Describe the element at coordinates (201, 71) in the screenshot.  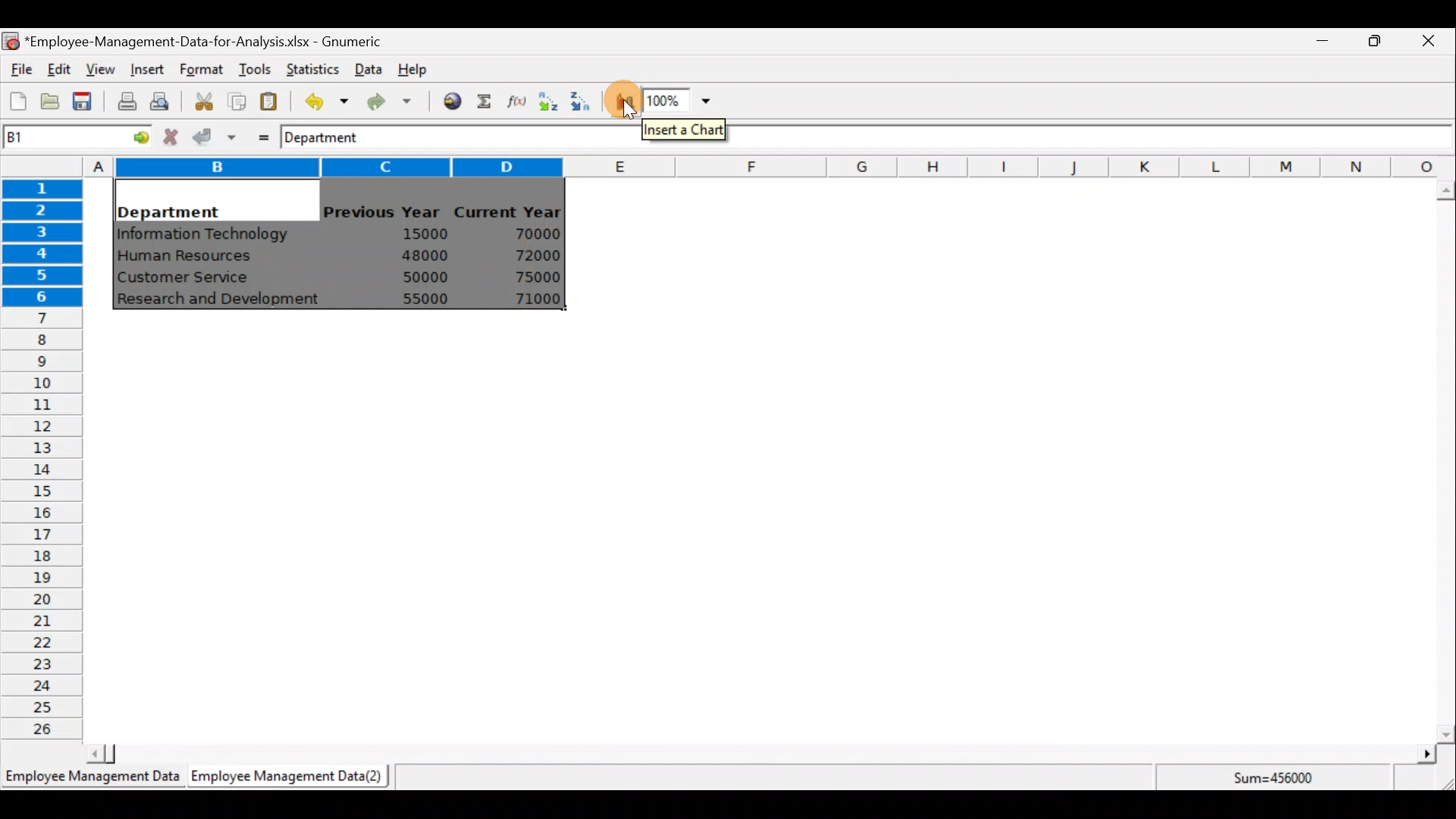
I see `Format` at that location.